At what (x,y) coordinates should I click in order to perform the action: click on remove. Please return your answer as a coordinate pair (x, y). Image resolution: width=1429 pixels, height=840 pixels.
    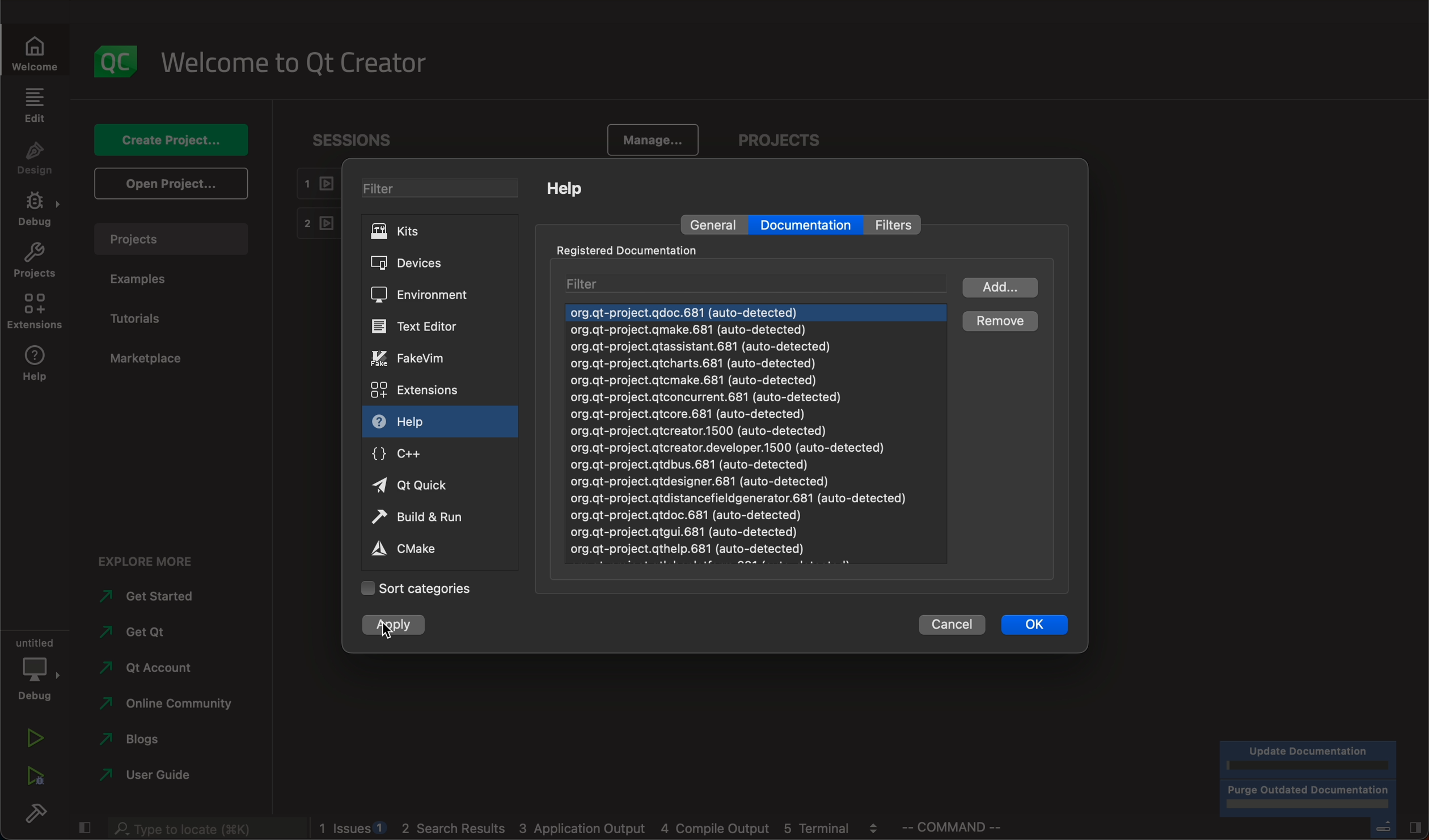
    Looking at the image, I should click on (995, 323).